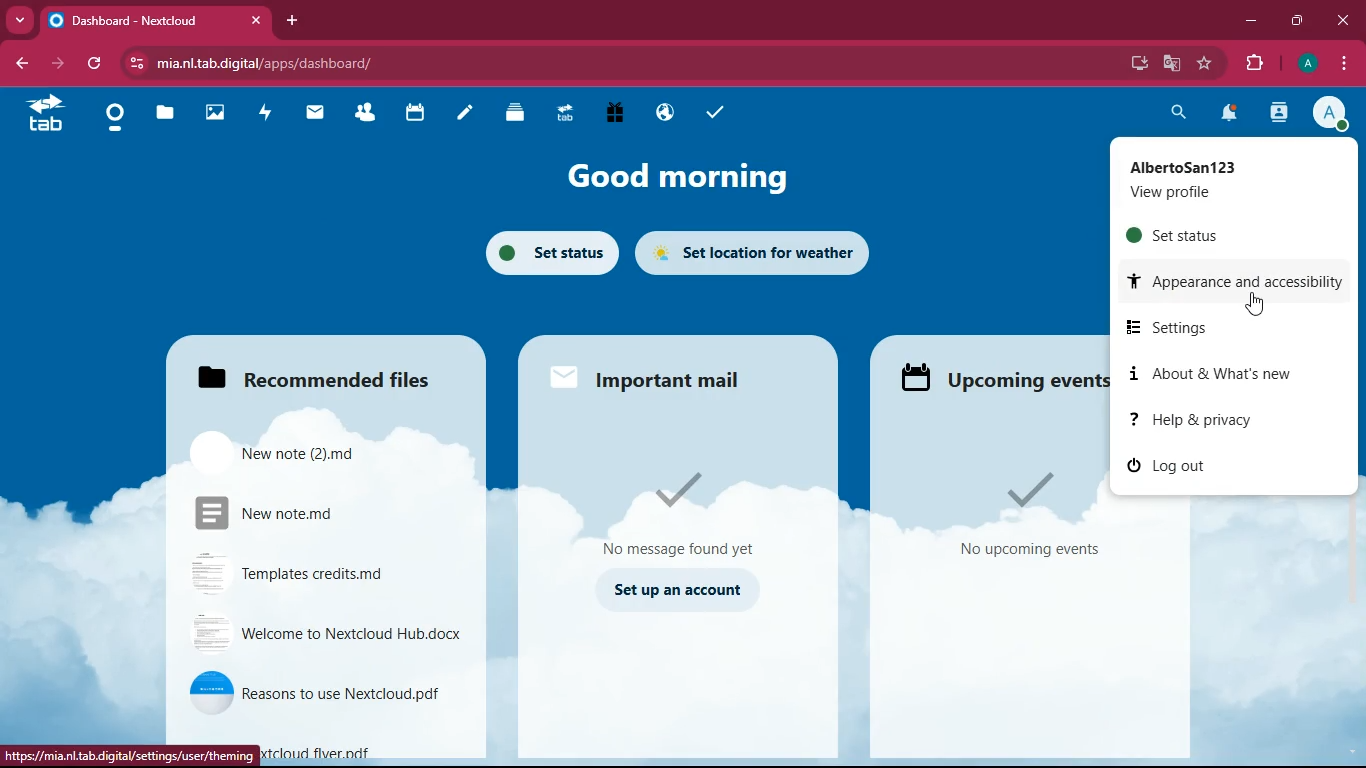  What do you see at coordinates (563, 112) in the screenshot?
I see `tab` at bounding box center [563, 112].